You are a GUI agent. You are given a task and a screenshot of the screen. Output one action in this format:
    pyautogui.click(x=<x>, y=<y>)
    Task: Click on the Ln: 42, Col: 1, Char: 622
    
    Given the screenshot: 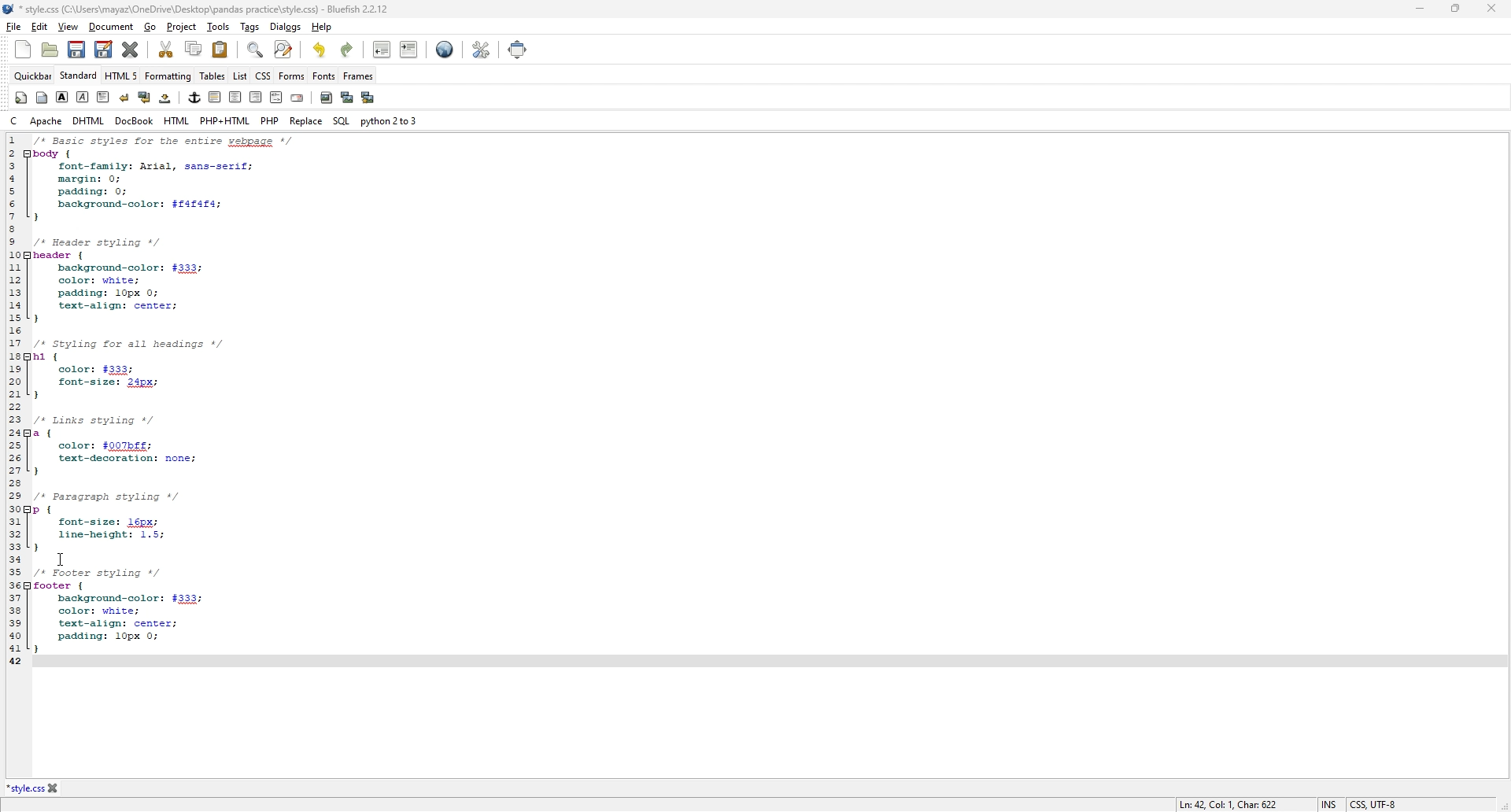 What is the action you would take?
    pyautogui.click(x=1229, y=803)
    